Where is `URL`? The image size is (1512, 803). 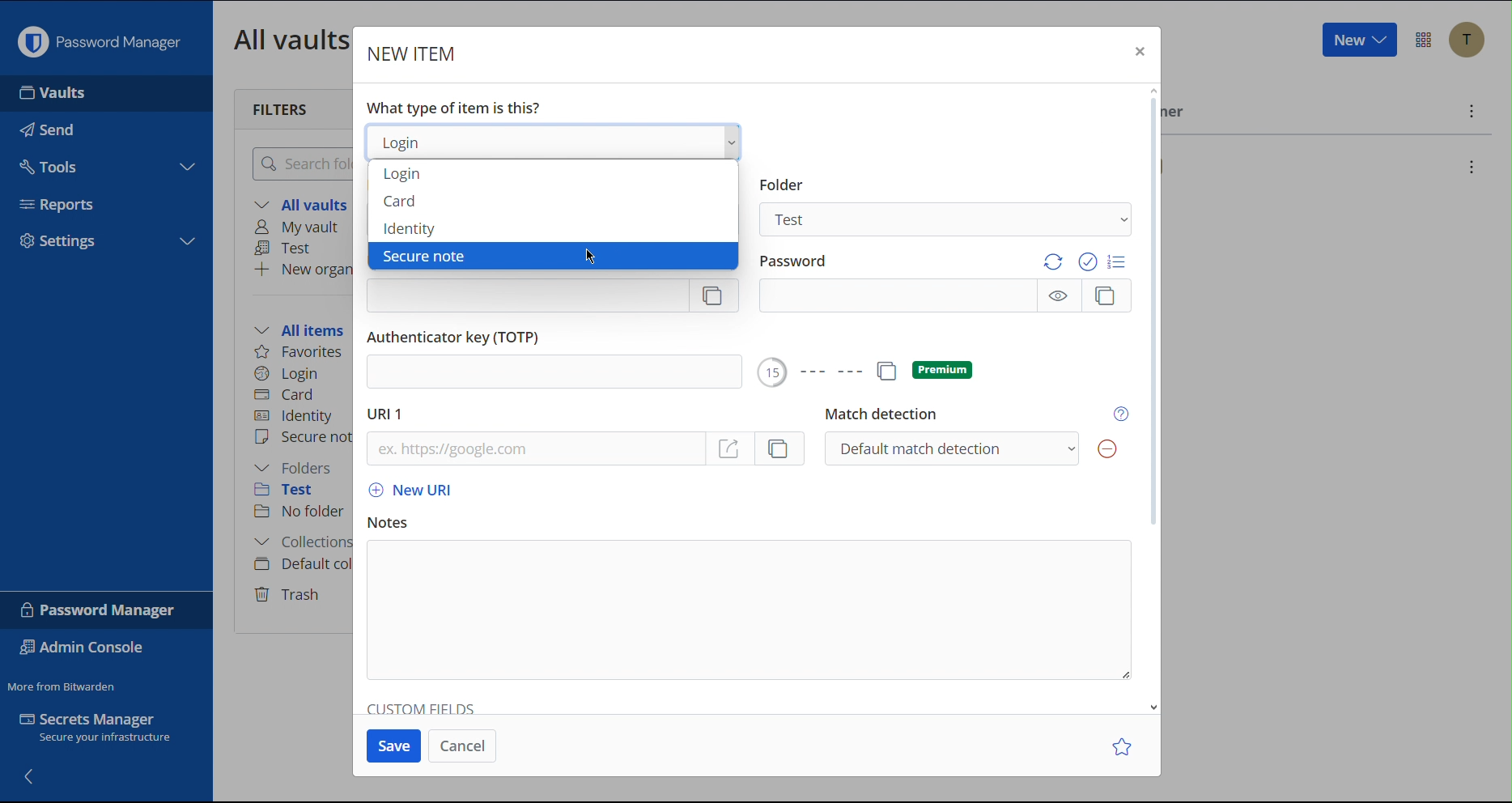
URL is located at coordinates (533, 449).